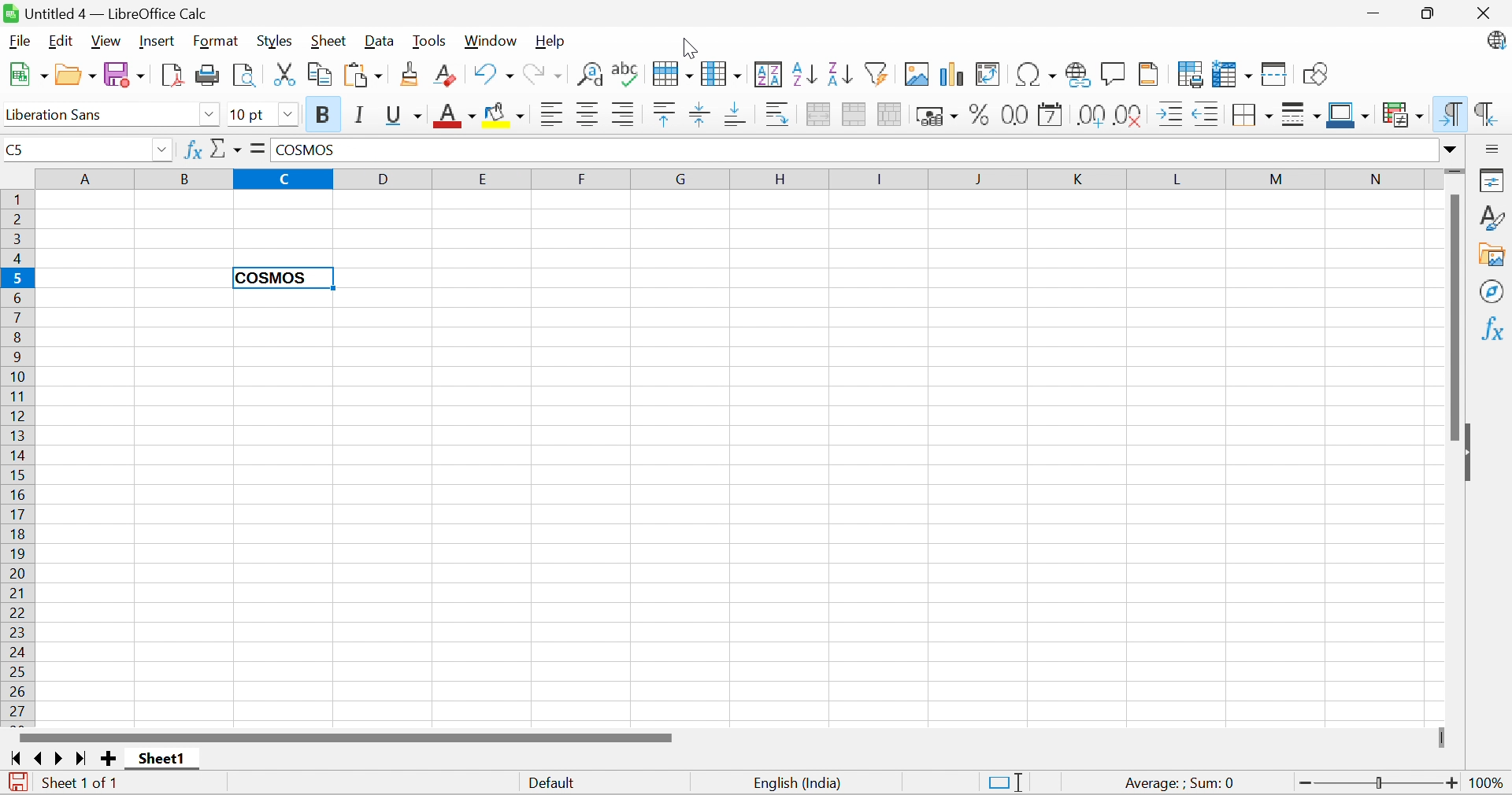 This screenshot has height=795, width=1512. What do you see at coordinates (1494, 293) in the screenshot?
I see `Navigator` at bounding box center [1494, 293].